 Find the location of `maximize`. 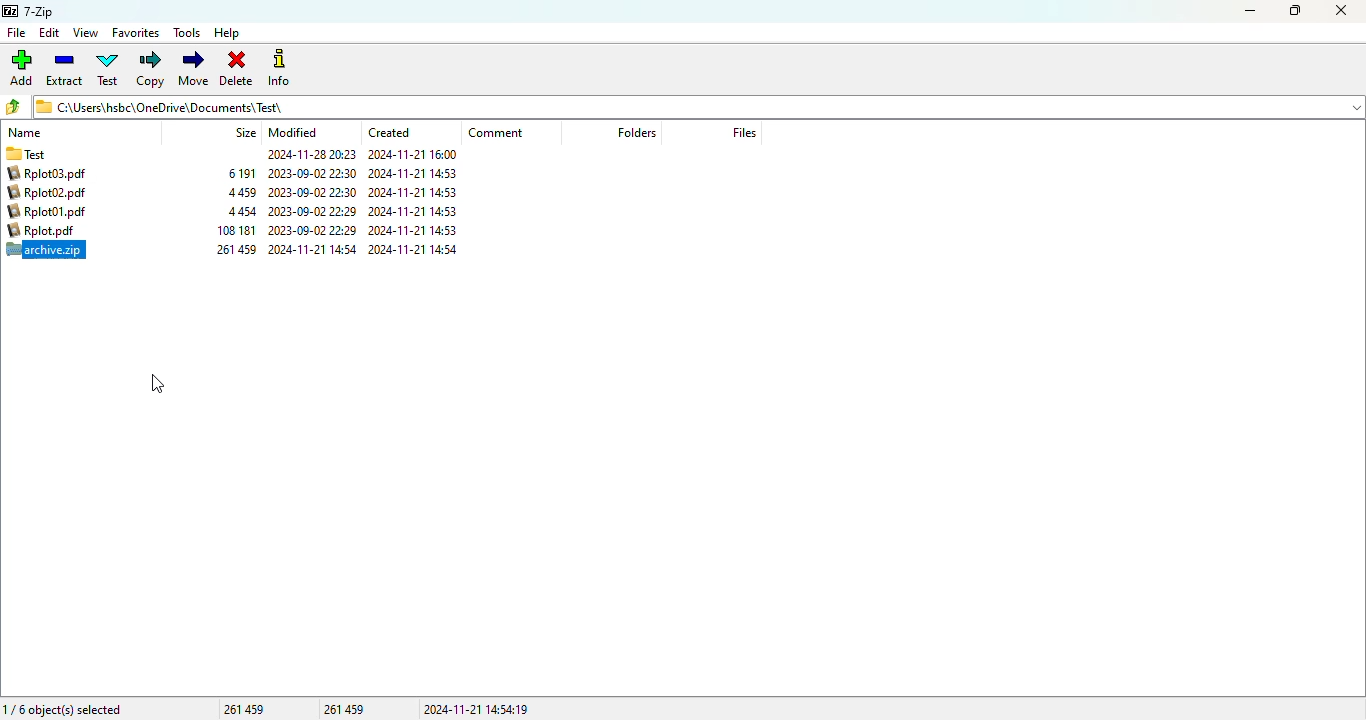

maximize is located at coordinates (1295, 11).